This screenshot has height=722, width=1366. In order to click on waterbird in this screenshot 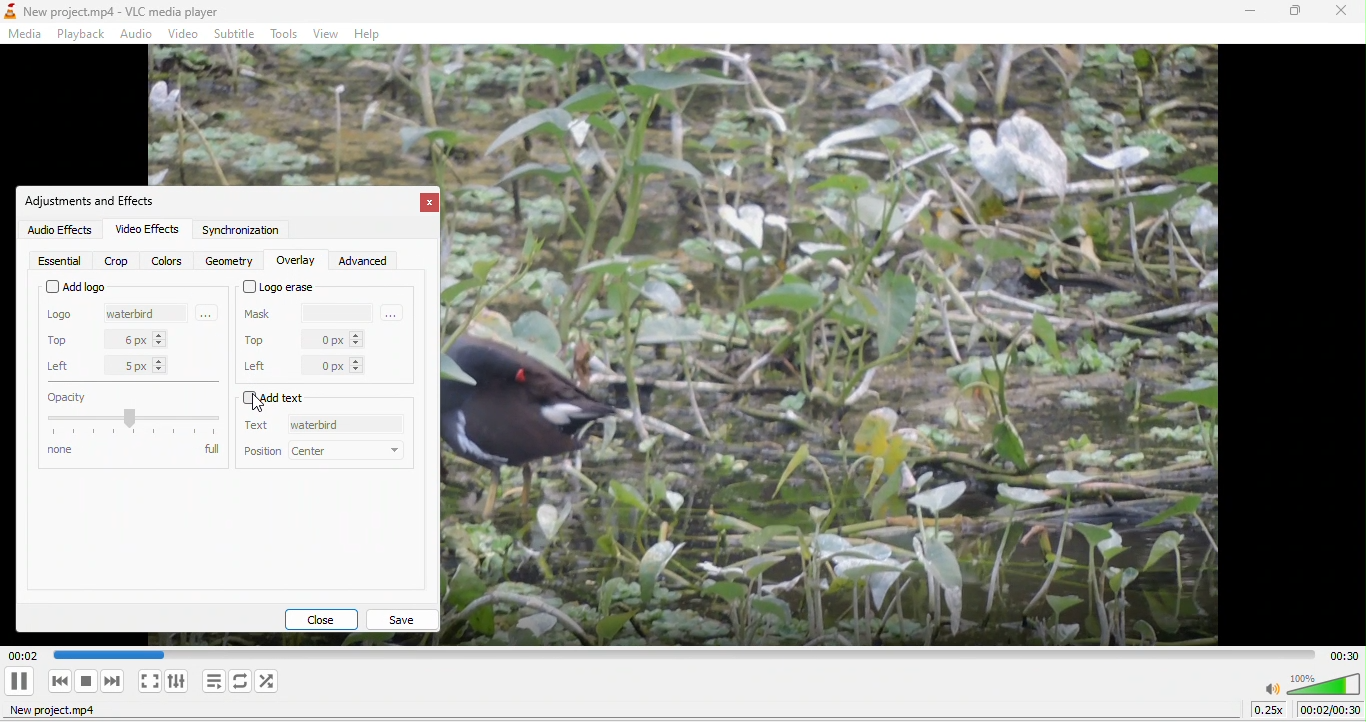, I will do `click(138, 316)`.